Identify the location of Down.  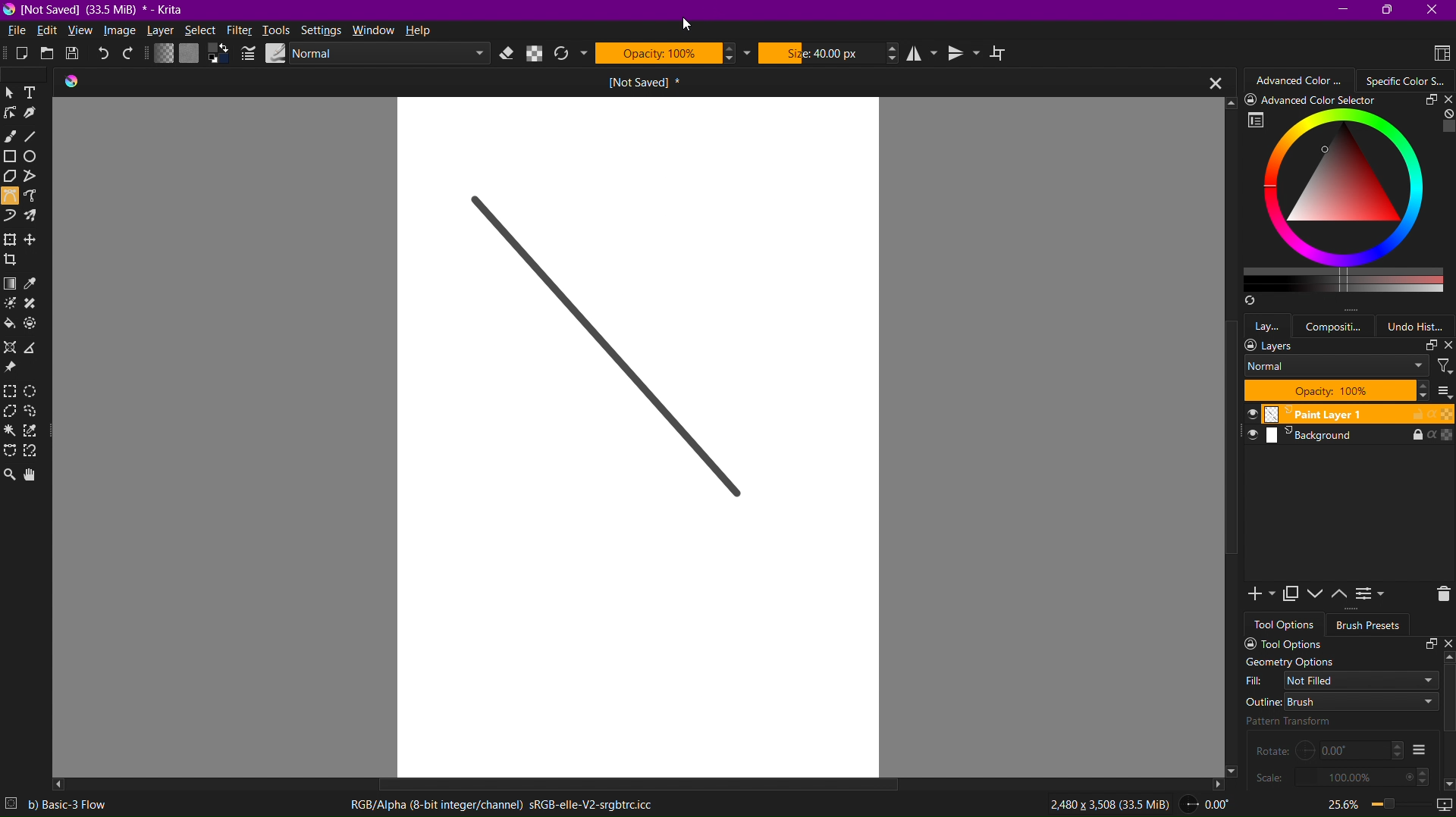
(1235, 773).